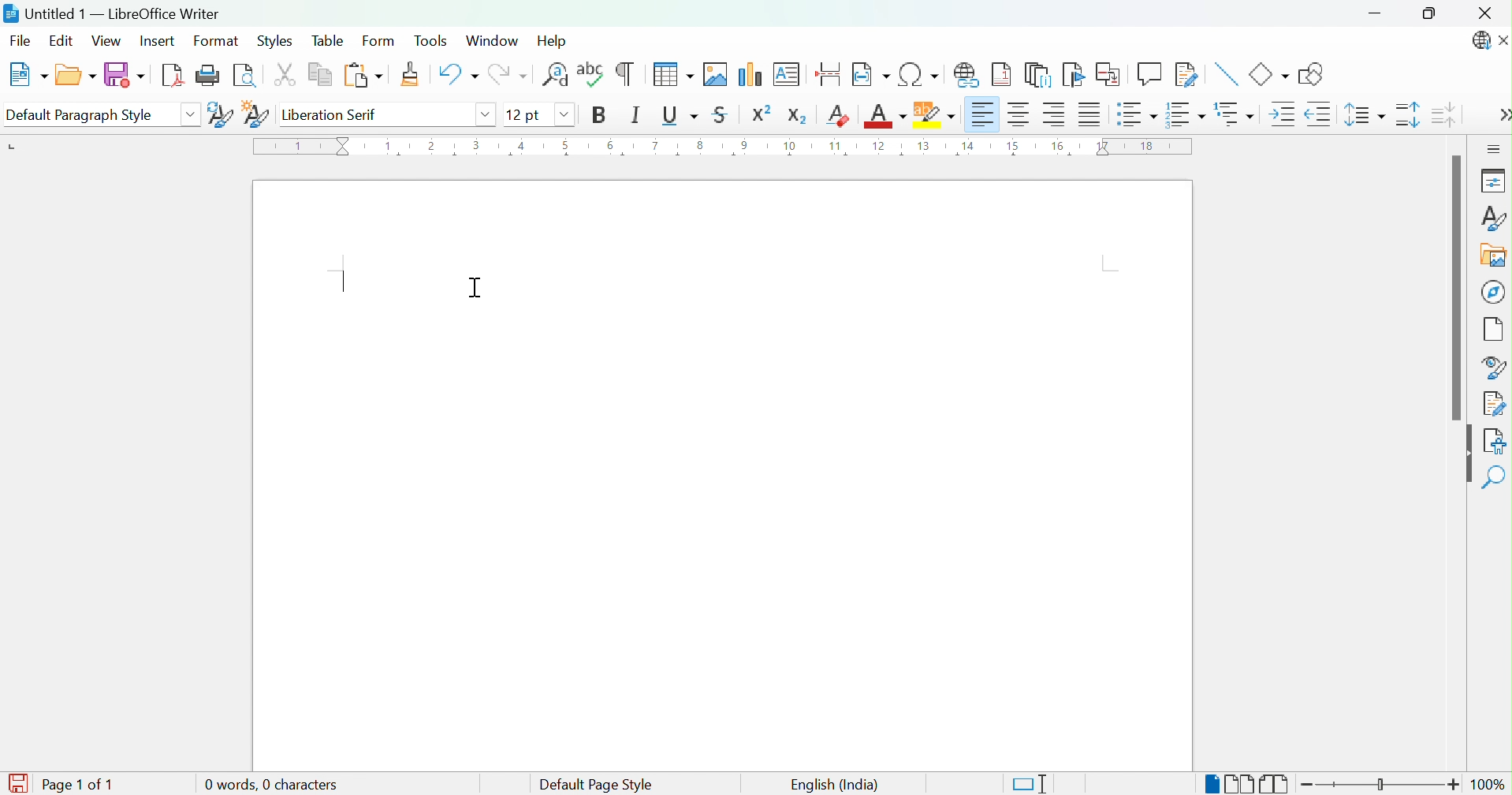 The image size is (1512, 795). Describe the element at coordinates (1496, 477) in the screenshot. I see `Find` at that location.